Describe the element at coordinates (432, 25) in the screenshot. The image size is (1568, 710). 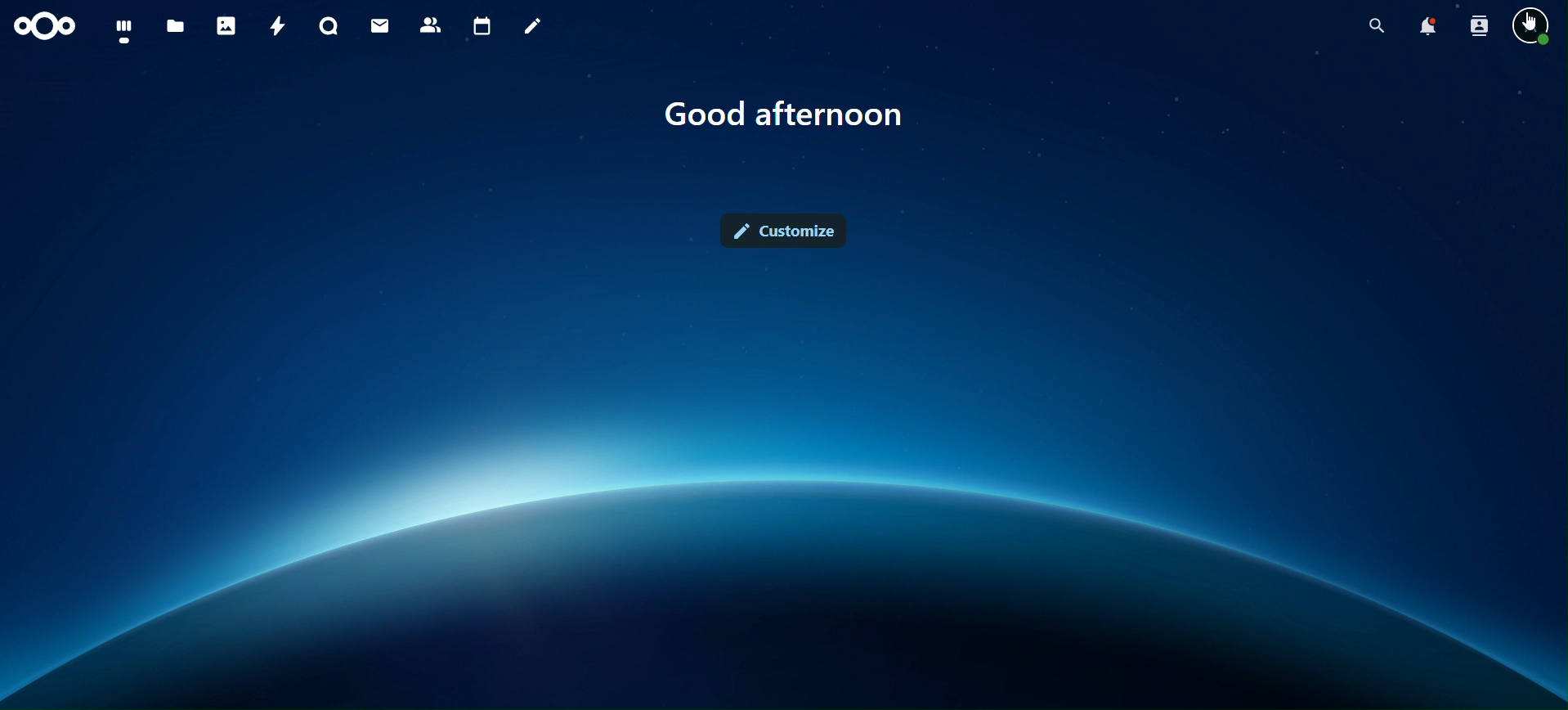
I see `contact` at that location.